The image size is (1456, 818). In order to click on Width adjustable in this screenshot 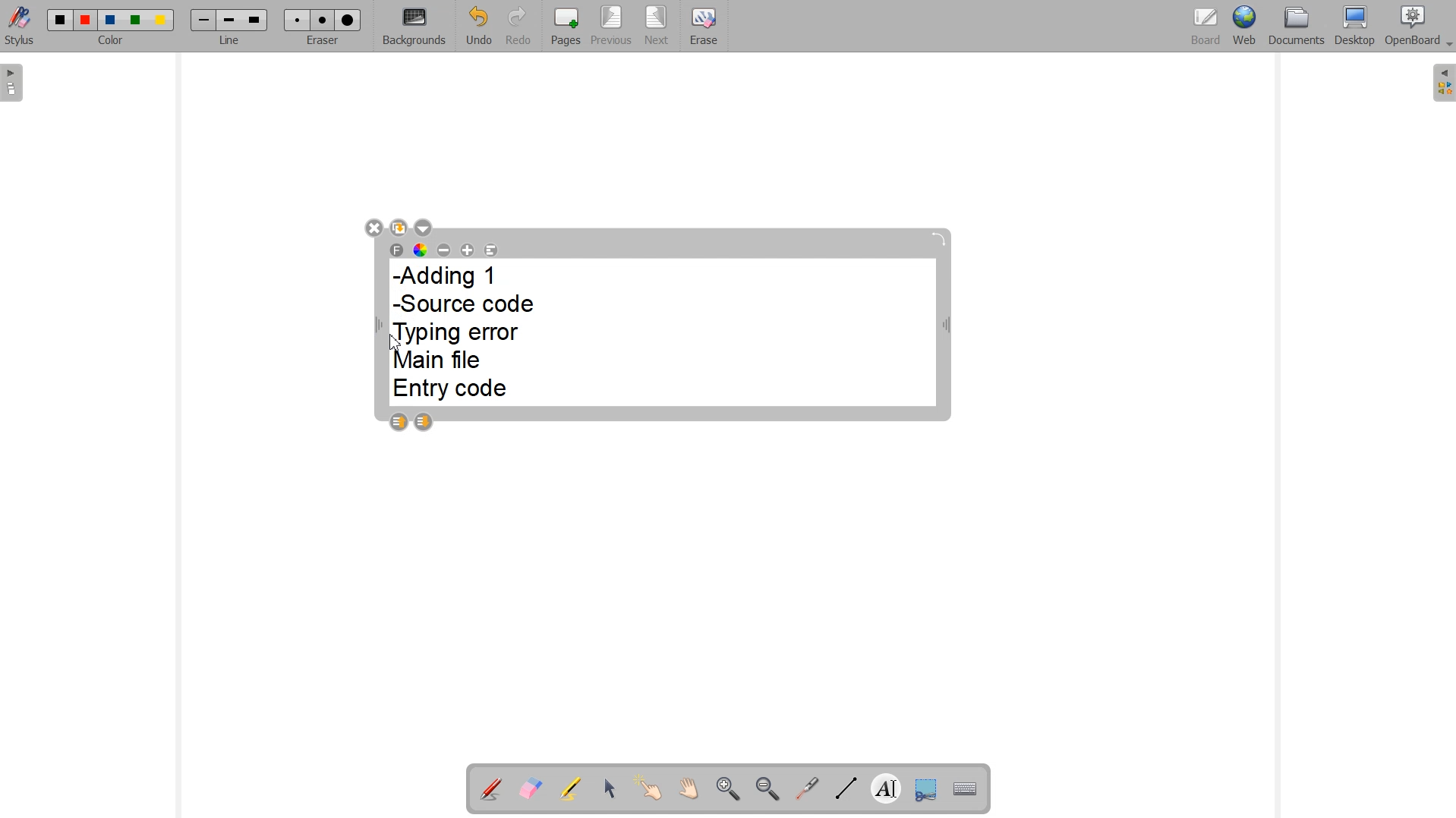, I will do `click(947, 328)`.